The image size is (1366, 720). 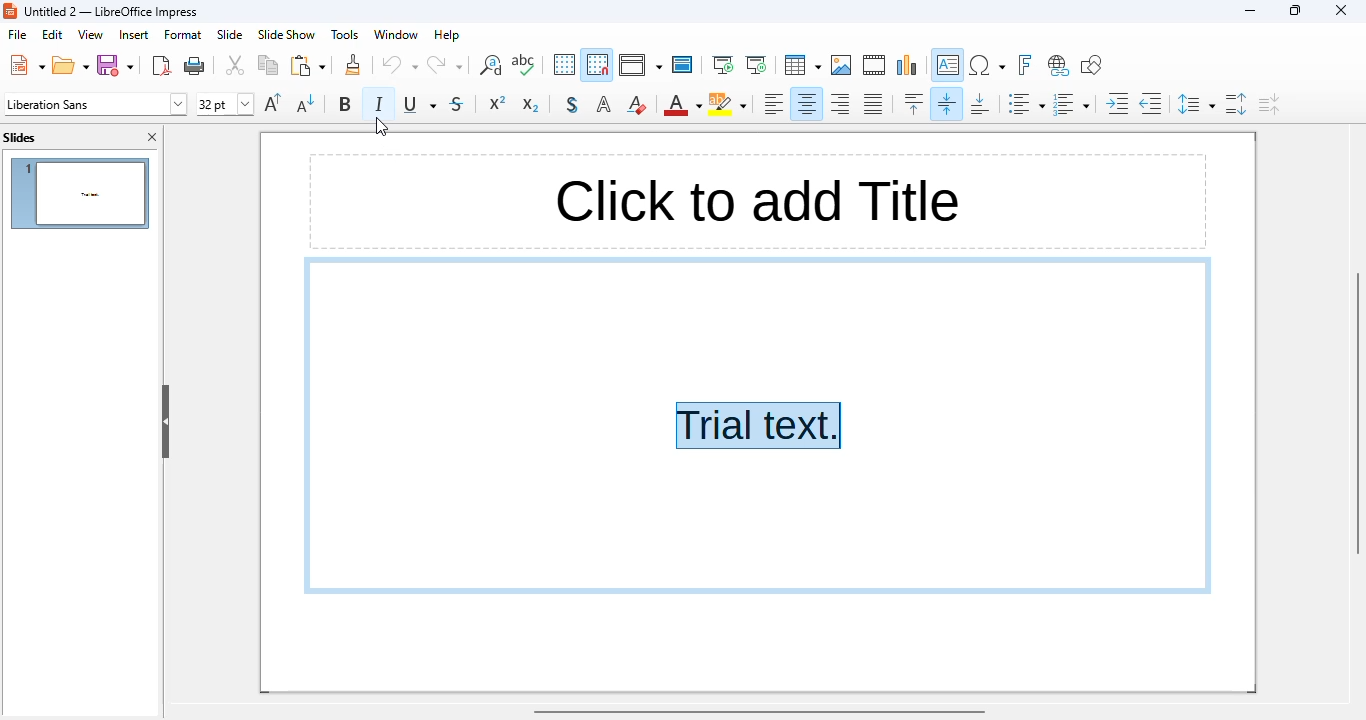 What do you see at coordinates (949, 65) in the screenshot?
I see `insert text box` at bounding box center [949, 65].